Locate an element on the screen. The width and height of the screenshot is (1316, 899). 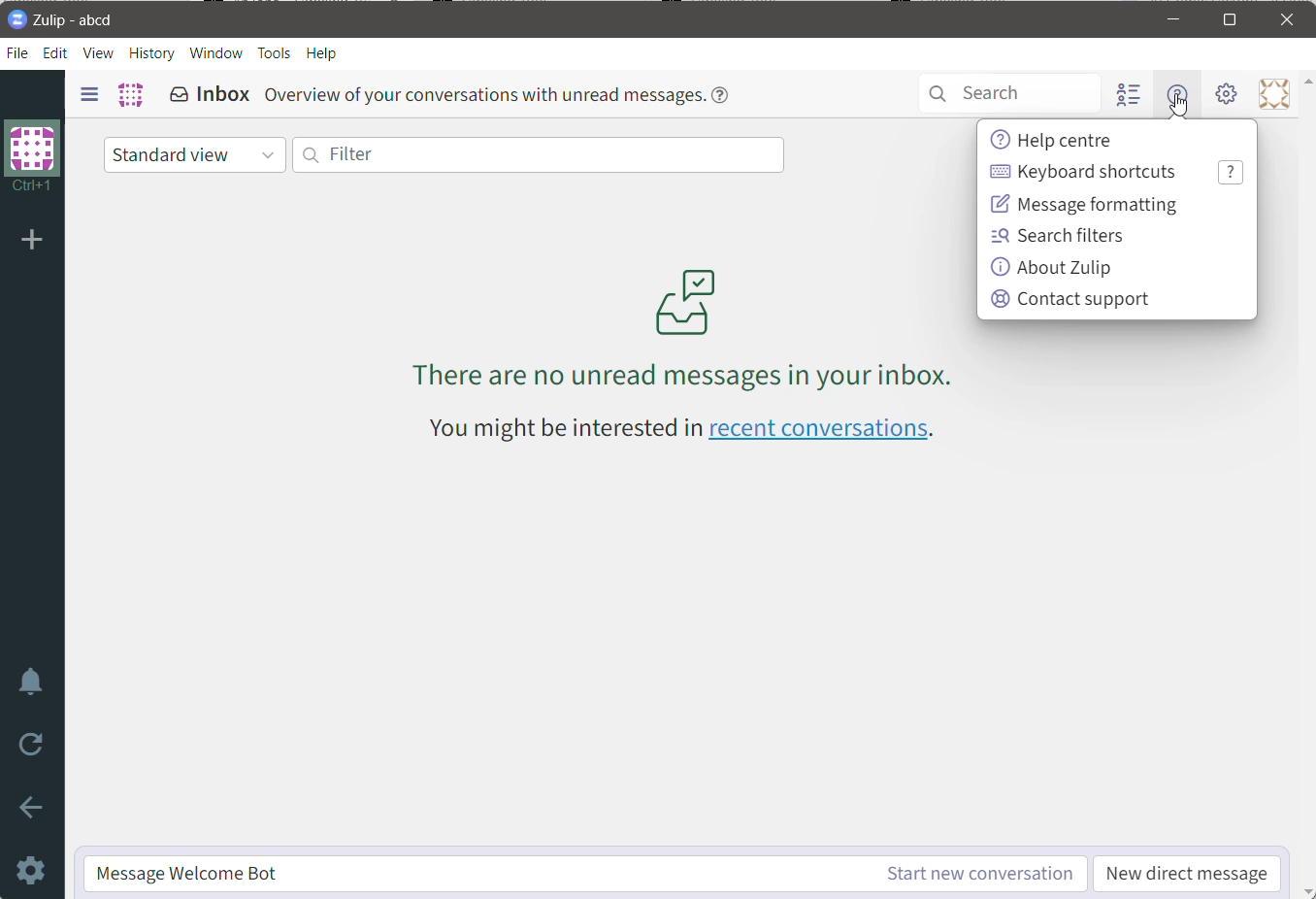
Help is located at coordinates (323, 54).